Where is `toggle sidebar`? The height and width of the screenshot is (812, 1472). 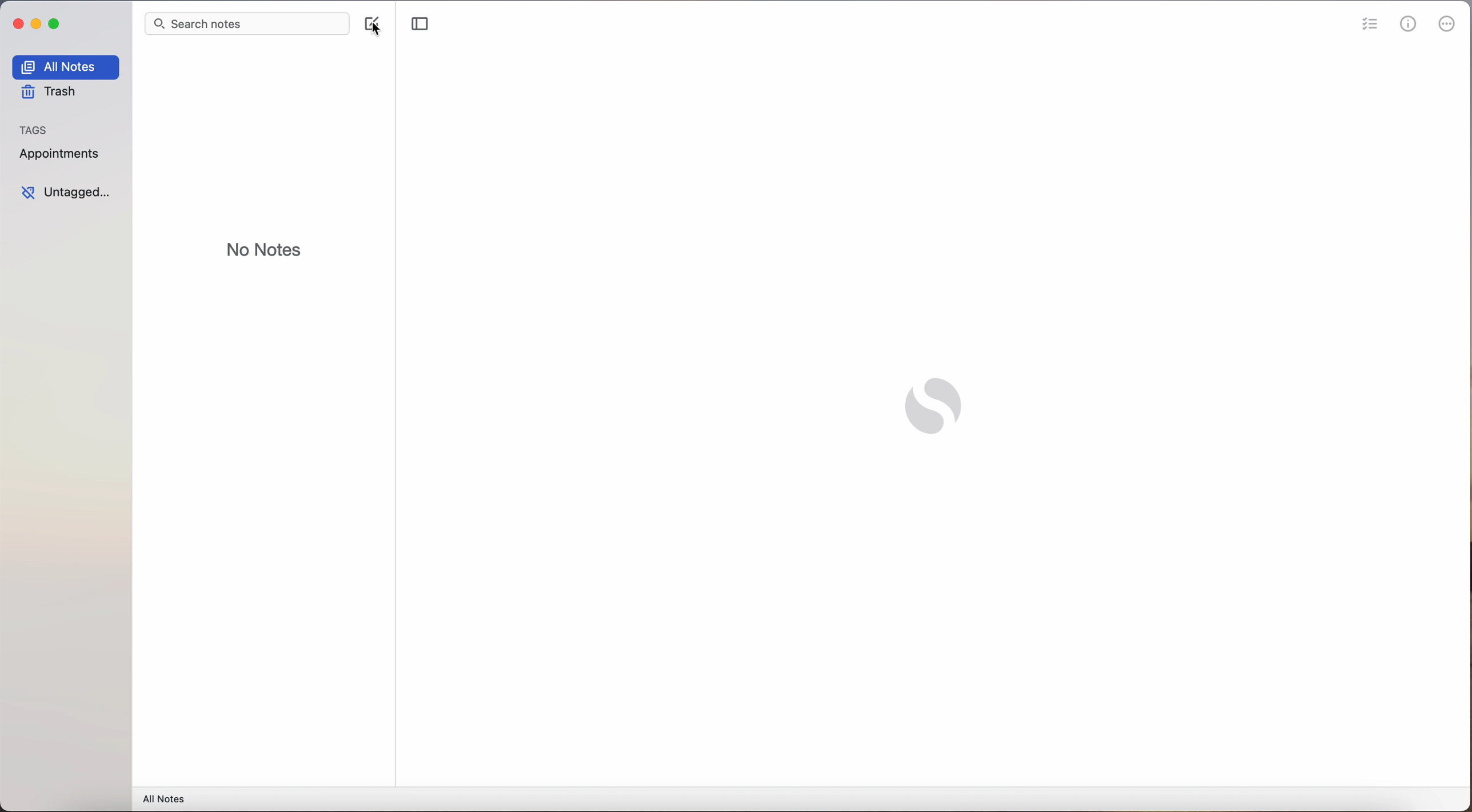
toggle sidebar is located at coordinates (418, 24).